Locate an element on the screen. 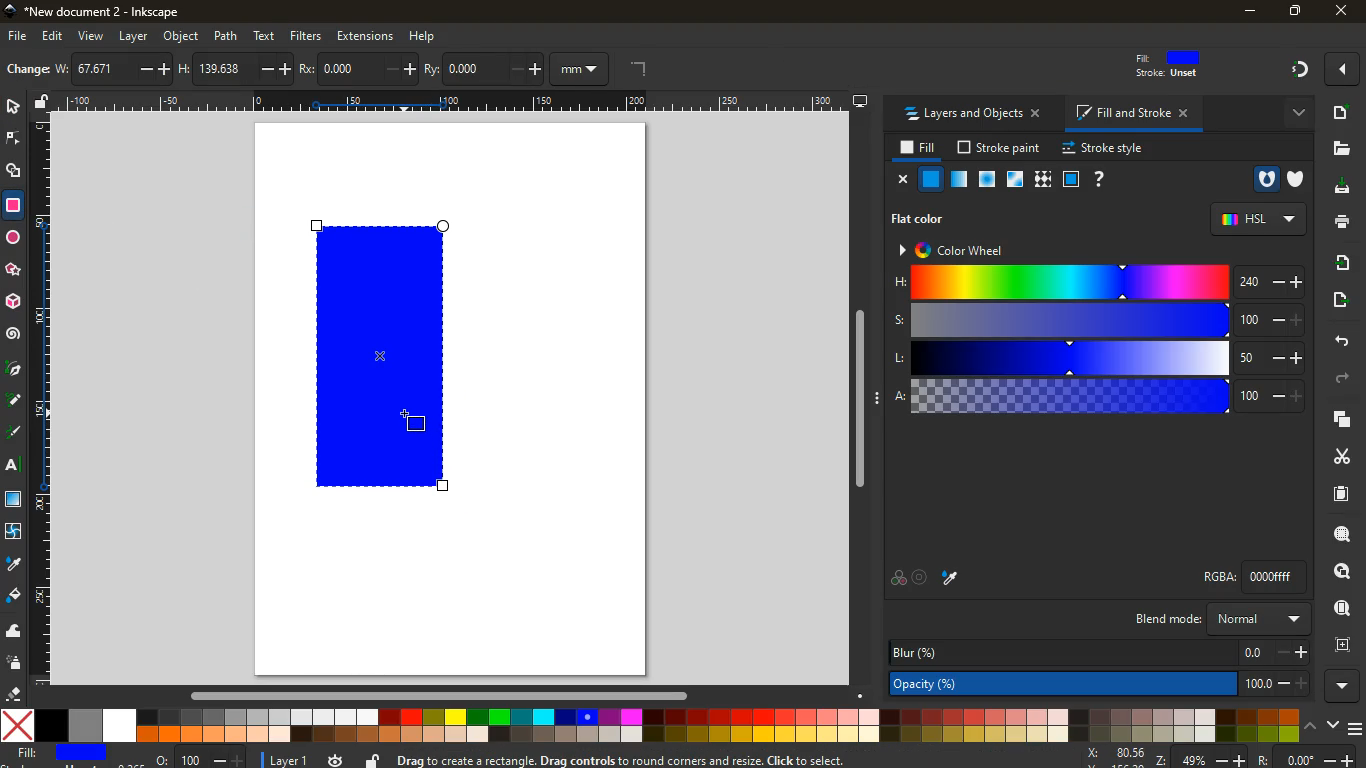 Image resolution: width=1366 pixels, height=768 pixels. up is located at coordinates (1313, 727).